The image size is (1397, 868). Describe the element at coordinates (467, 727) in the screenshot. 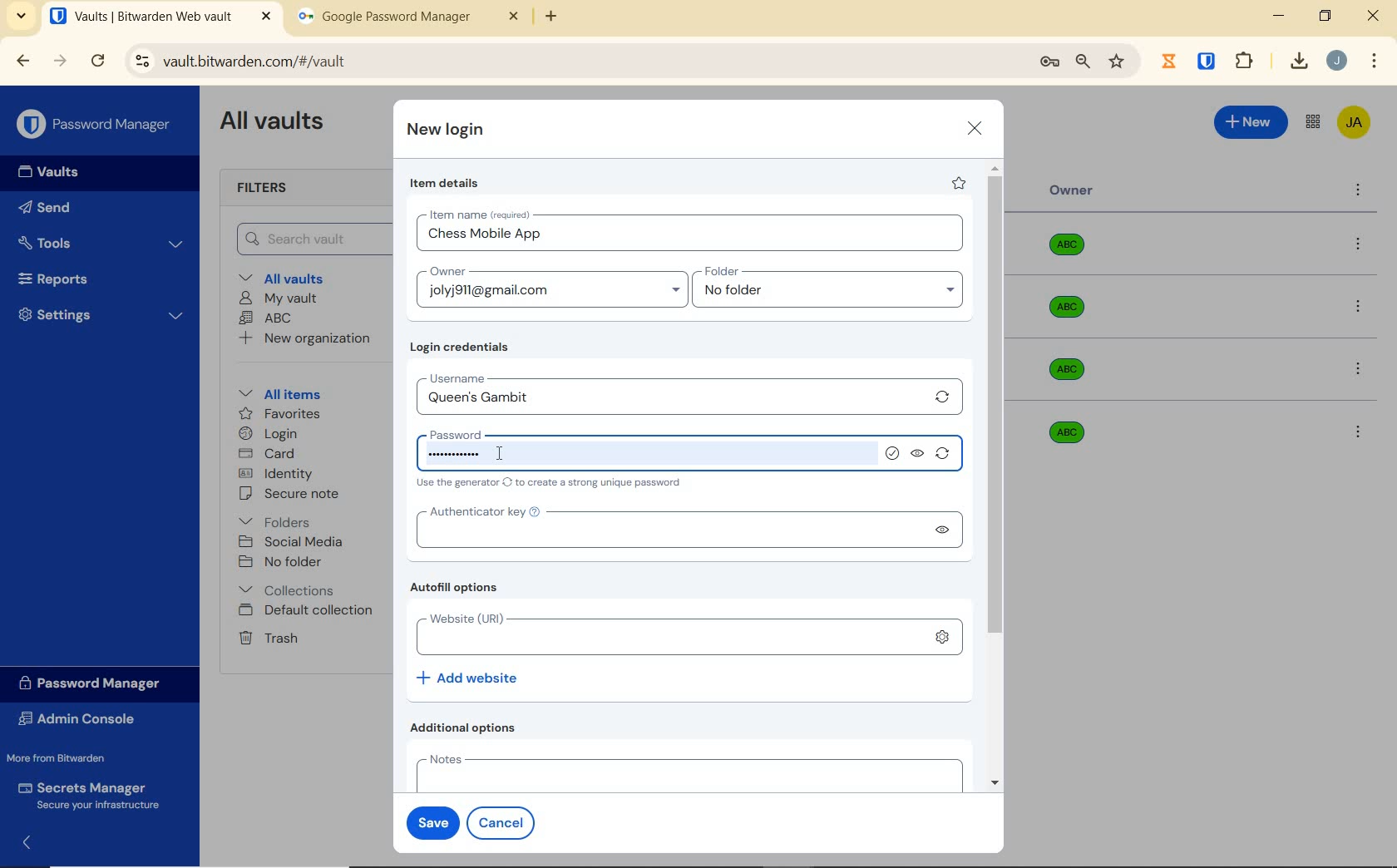

I see `dditional options` at that location.